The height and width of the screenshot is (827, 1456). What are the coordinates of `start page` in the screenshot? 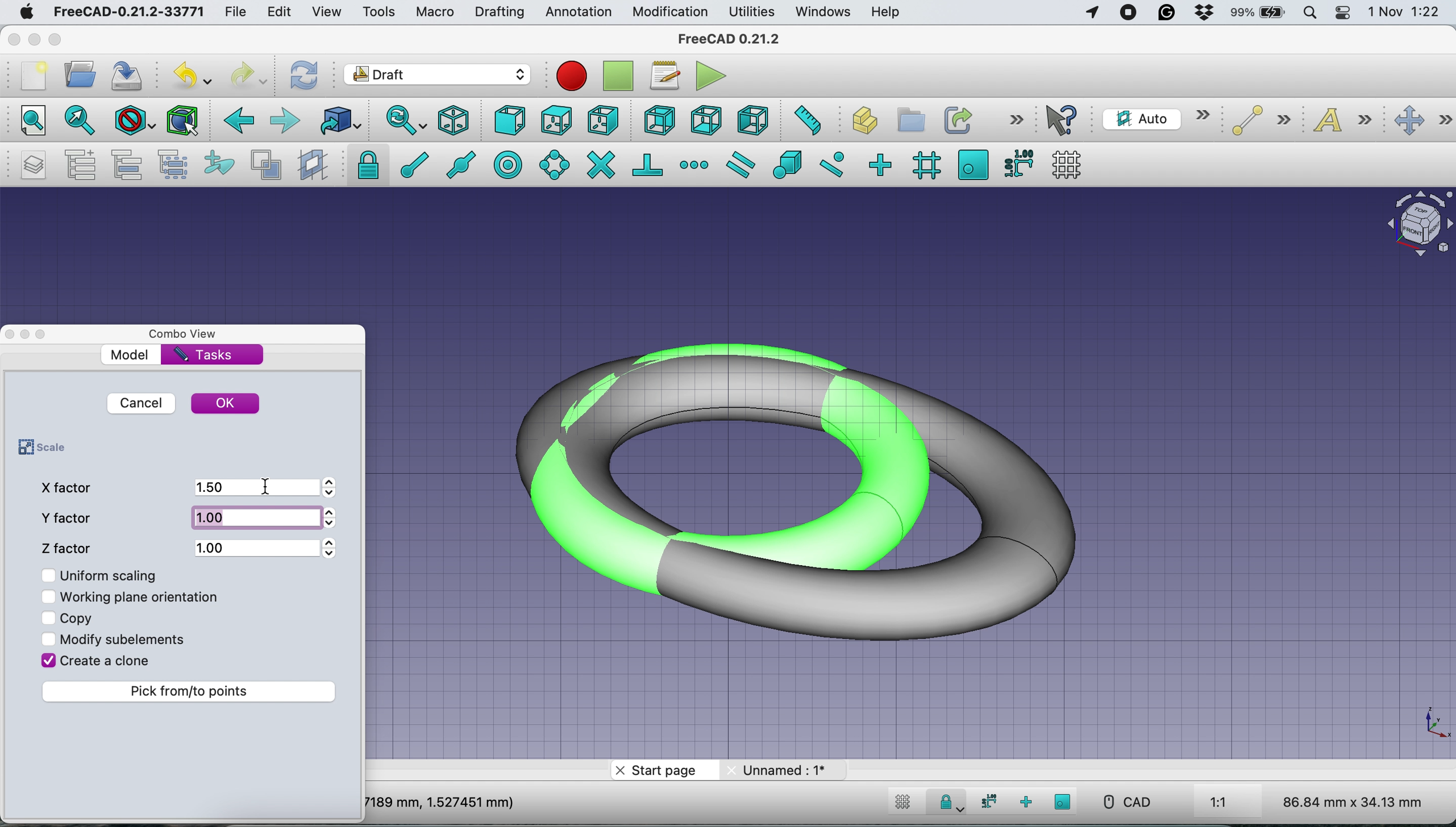 It's located at (662, 771).